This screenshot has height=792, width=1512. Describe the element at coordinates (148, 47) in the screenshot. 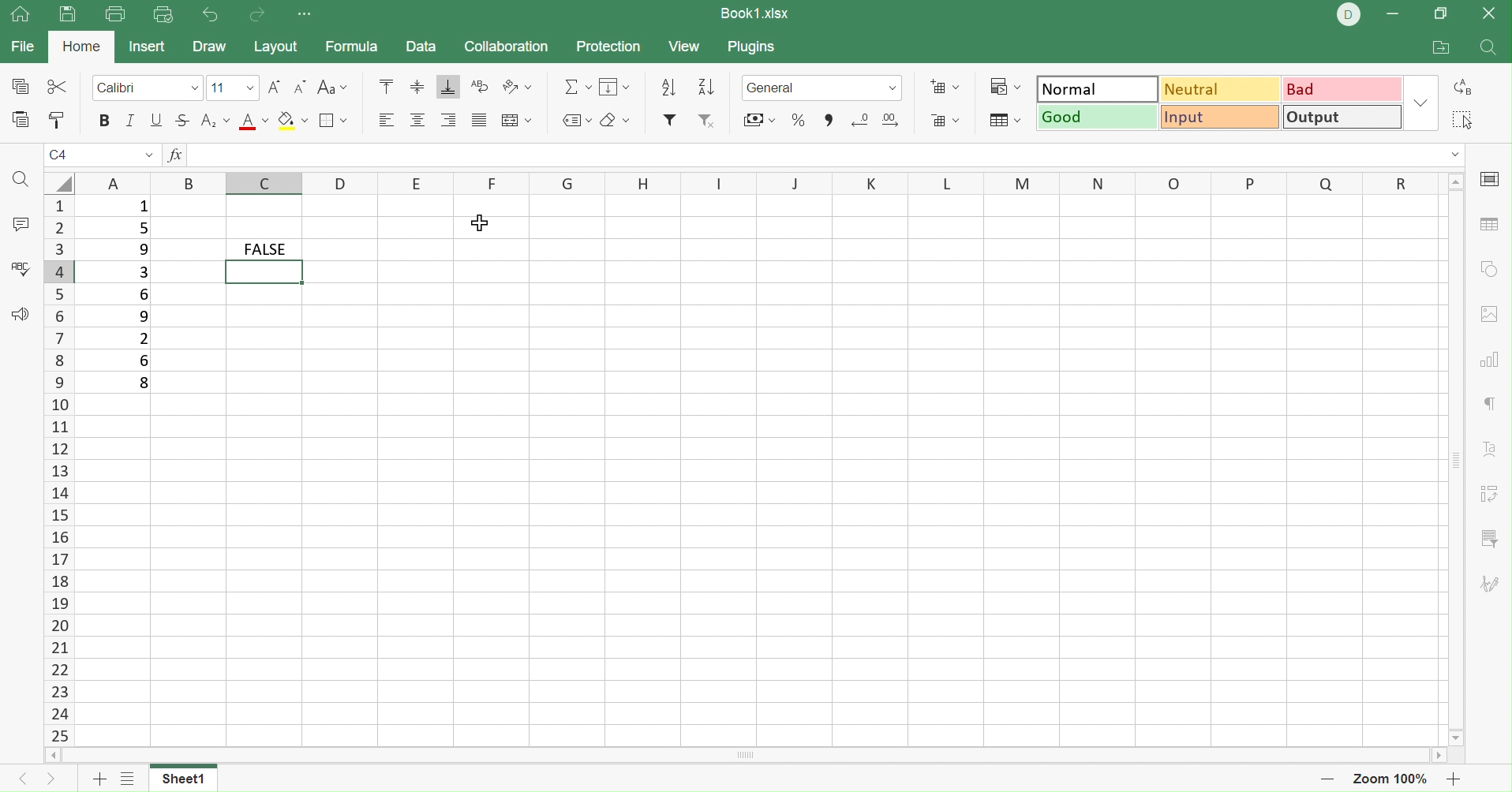

I see `Insert` at that location.